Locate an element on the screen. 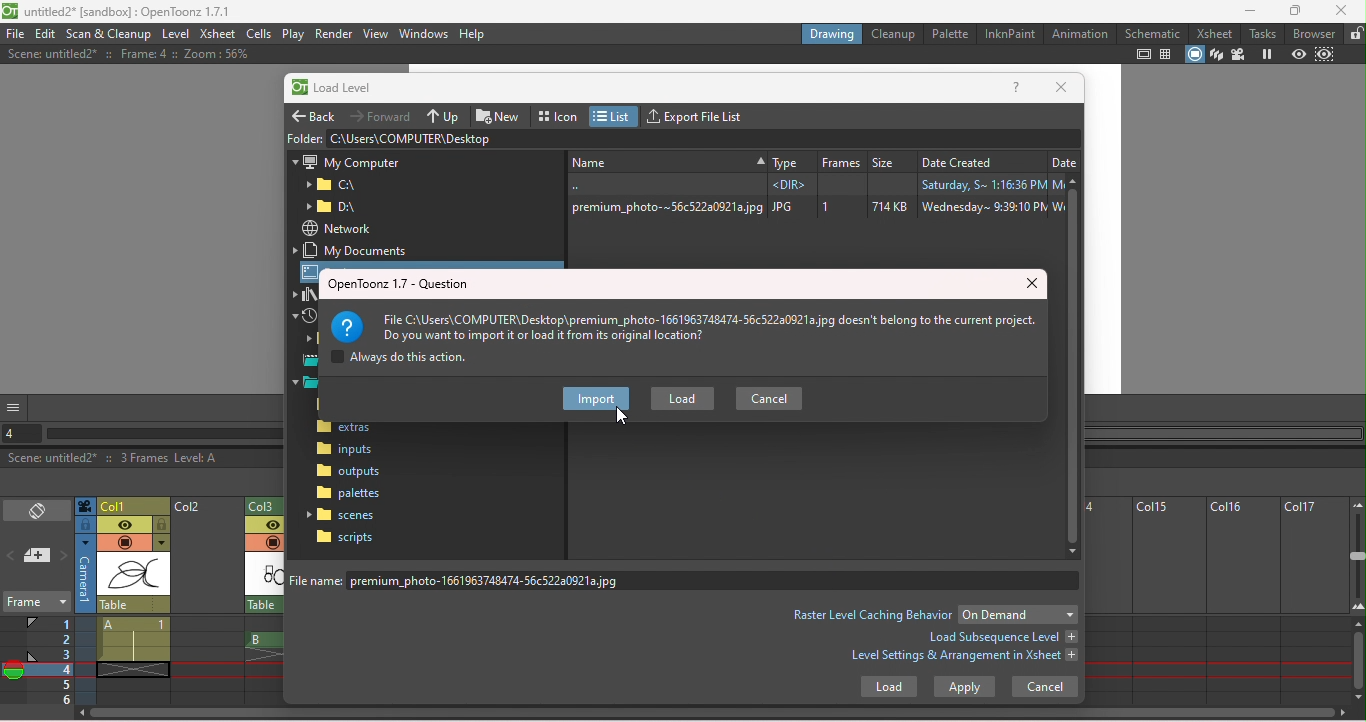 This screenshot has width=1366, height=722. Icon is located at coordinates (559, 114).